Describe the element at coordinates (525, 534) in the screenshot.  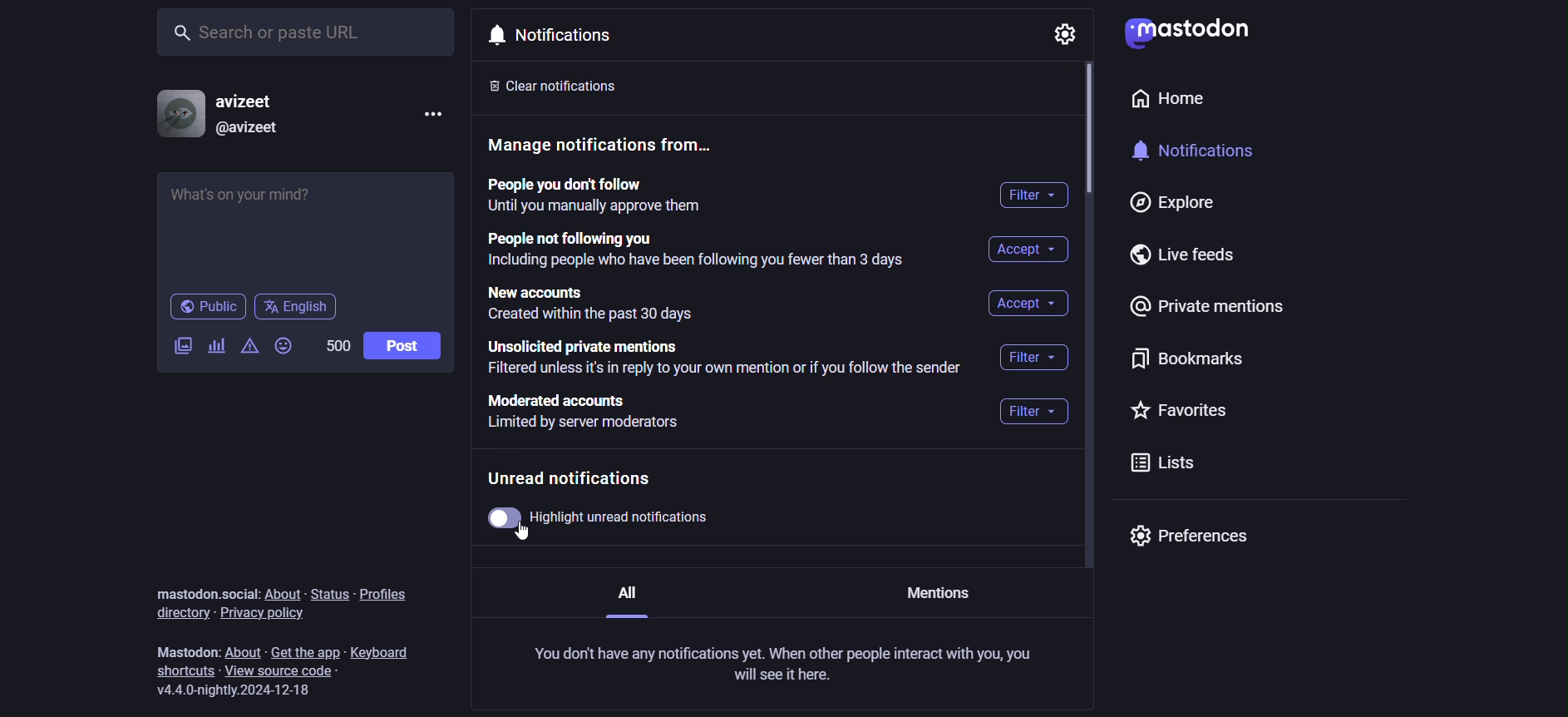
I see `Cursor` at that location.